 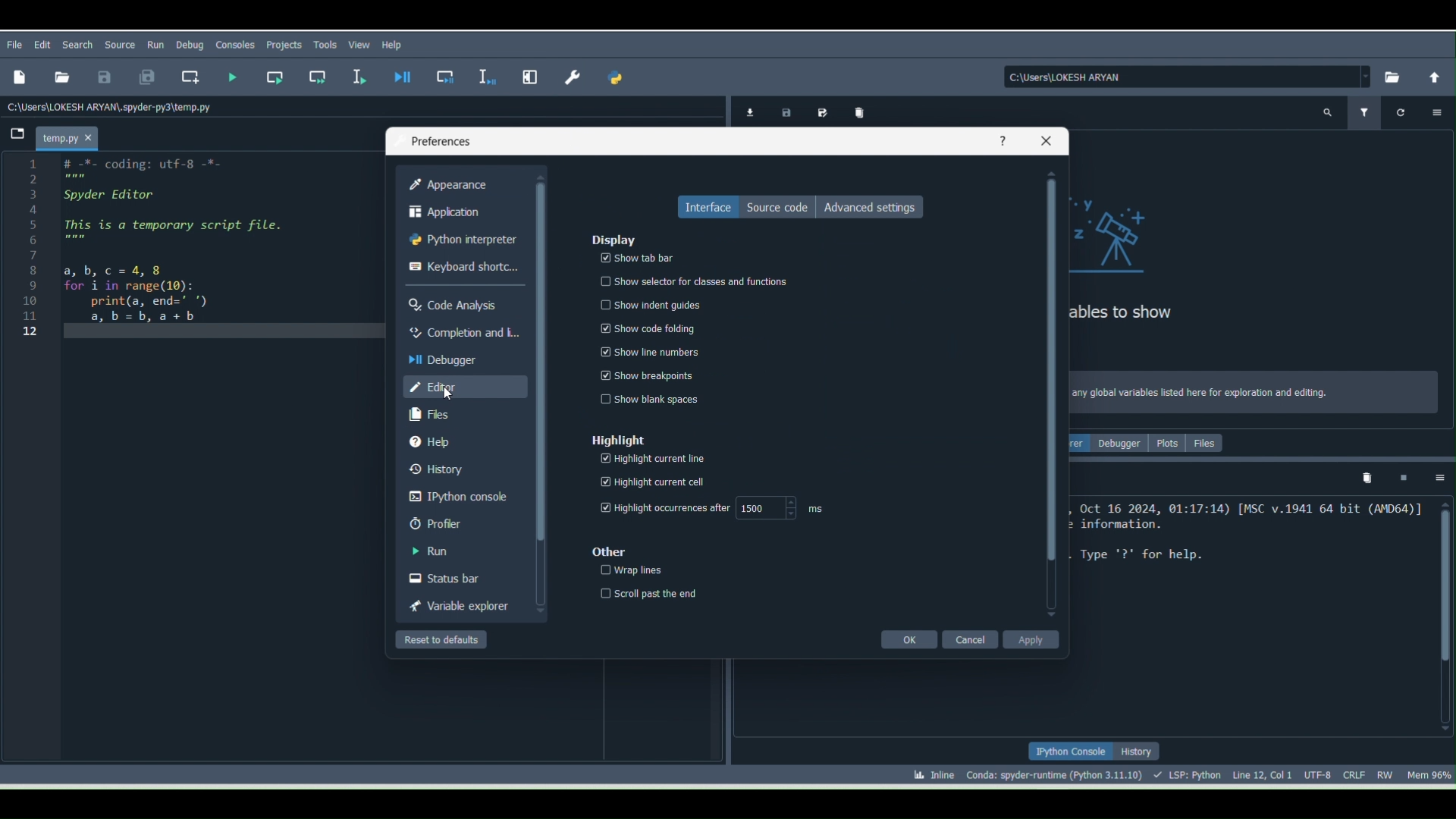 I want to click on Appearance, so click(x=453, y=184).